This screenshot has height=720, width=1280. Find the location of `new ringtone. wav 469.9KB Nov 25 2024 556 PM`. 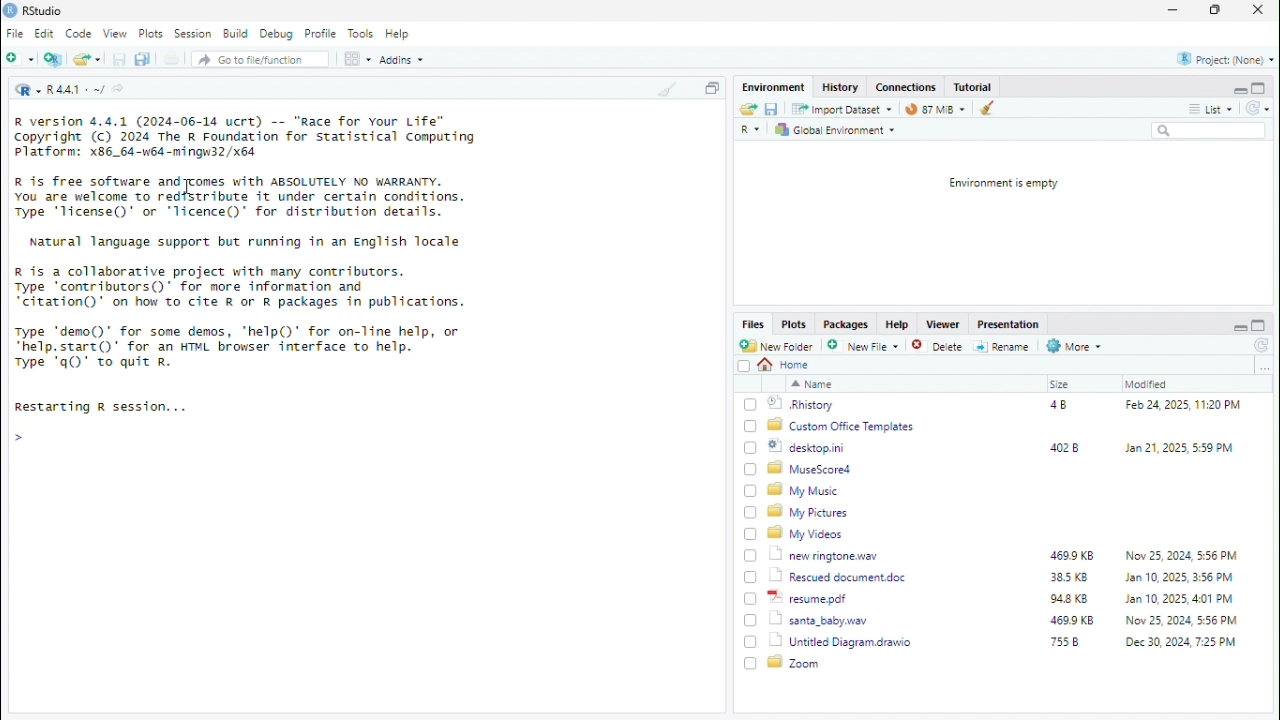

new ringtone. wav 469.9KB Nov 25 2024 556 PM is located at coordinates (1004, 554).